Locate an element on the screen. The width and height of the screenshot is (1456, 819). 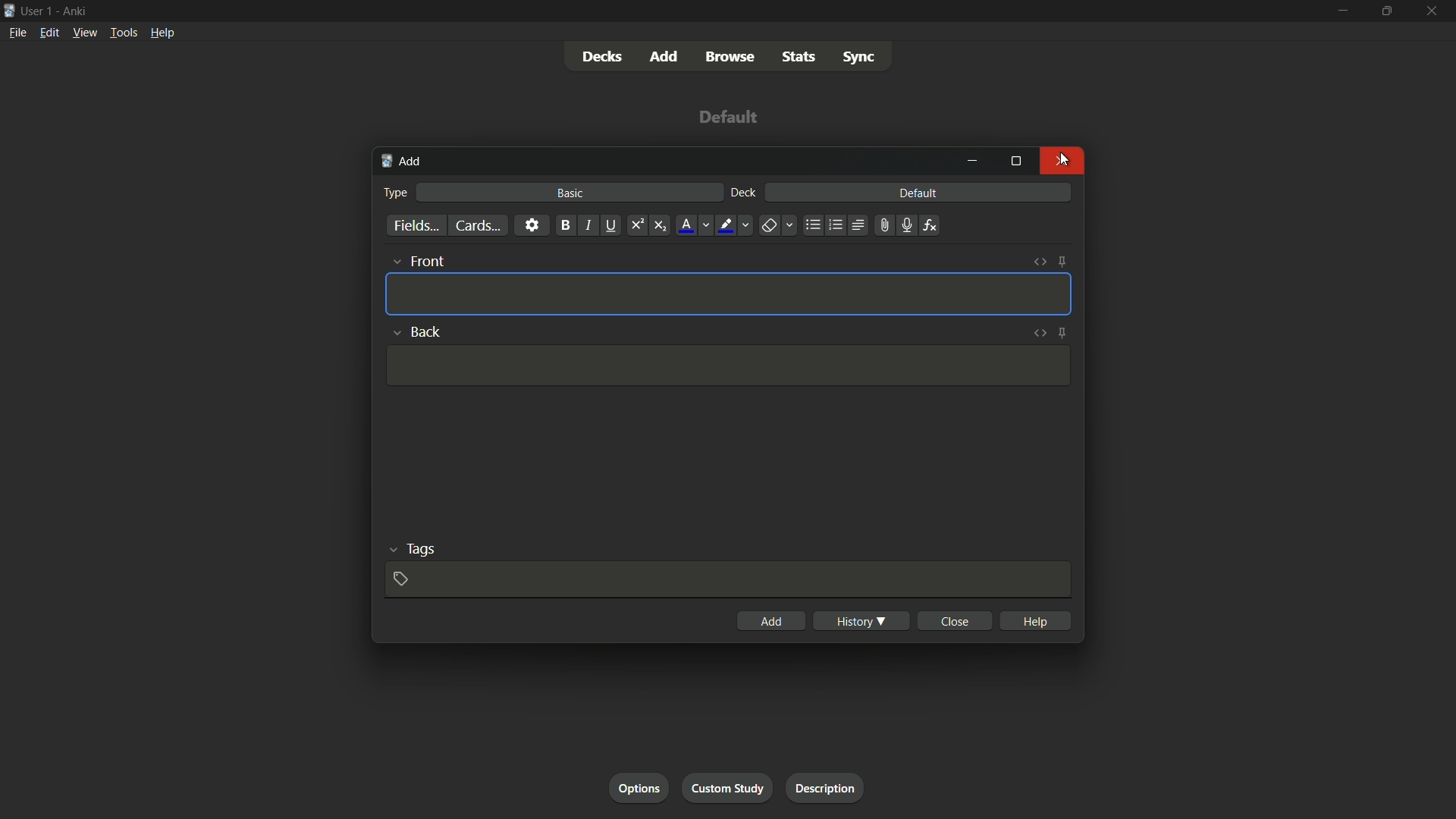
toggle html editor is located at coordinates (1039, 332).